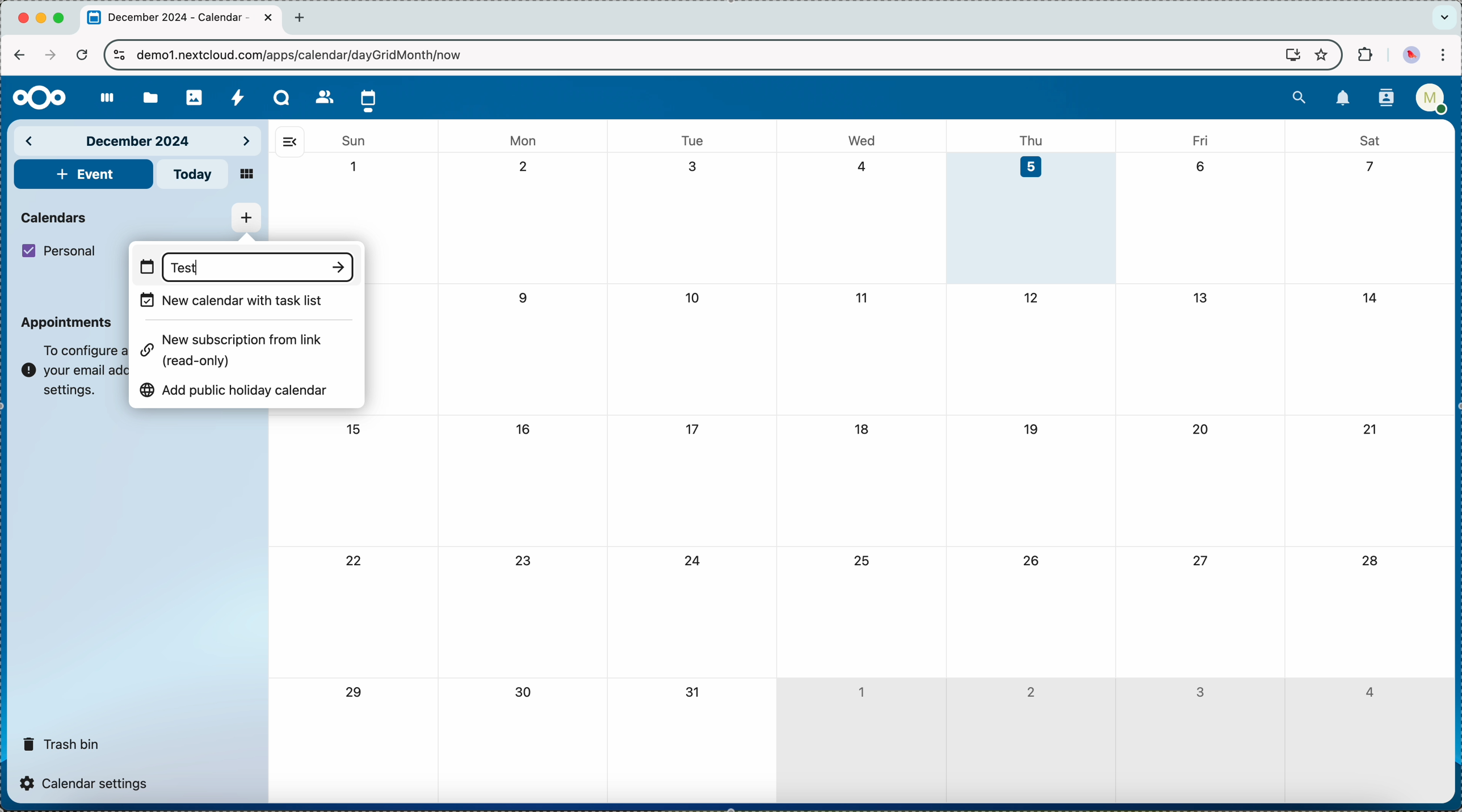 The width and height of the screenshot is (1462, 812). Describe the element at coordinates (62, 740) in the screenshot. I see `trash bin` at that location.